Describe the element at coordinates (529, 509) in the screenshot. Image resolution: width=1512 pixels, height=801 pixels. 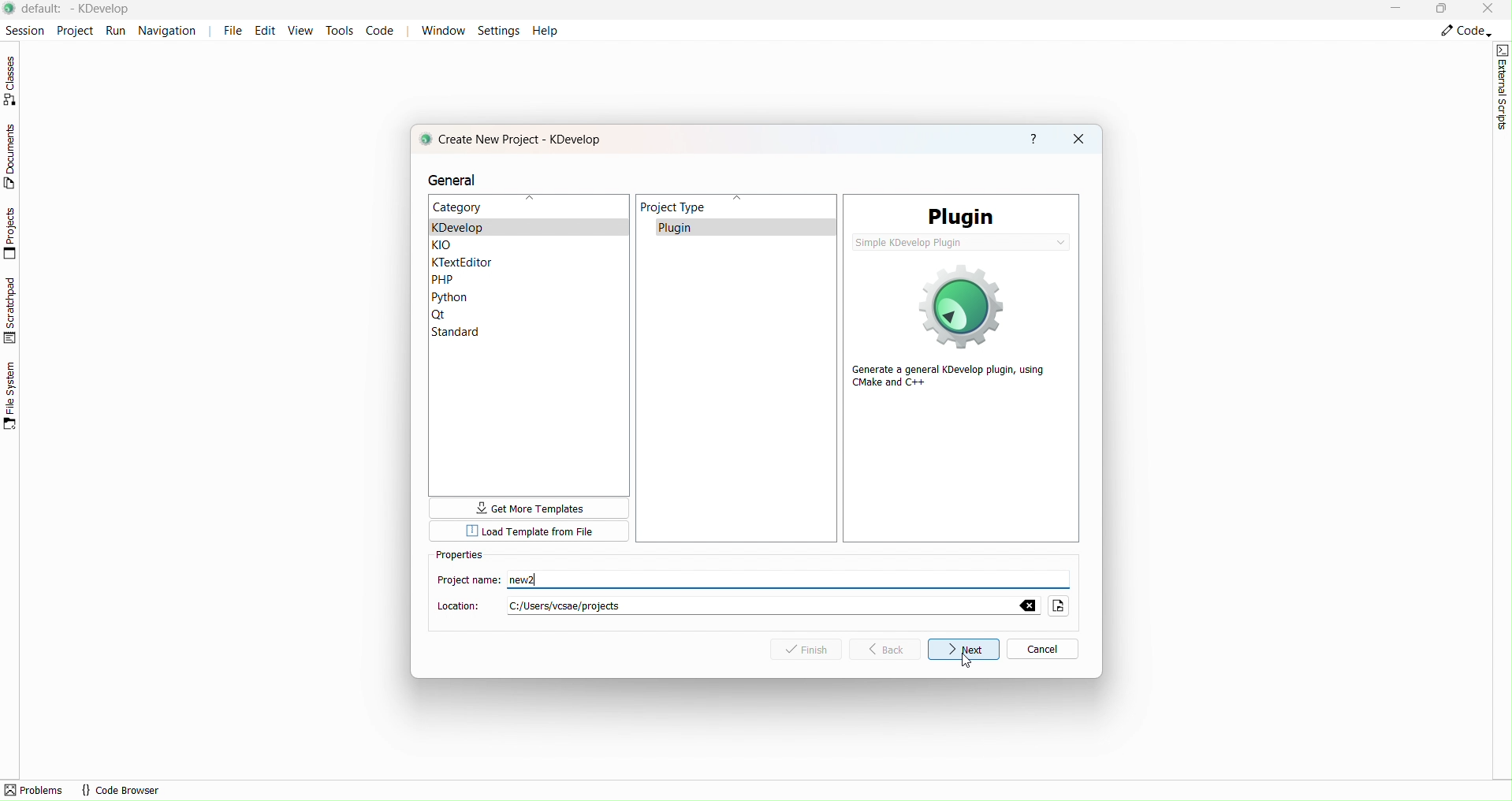
I see `more templates` at that location.